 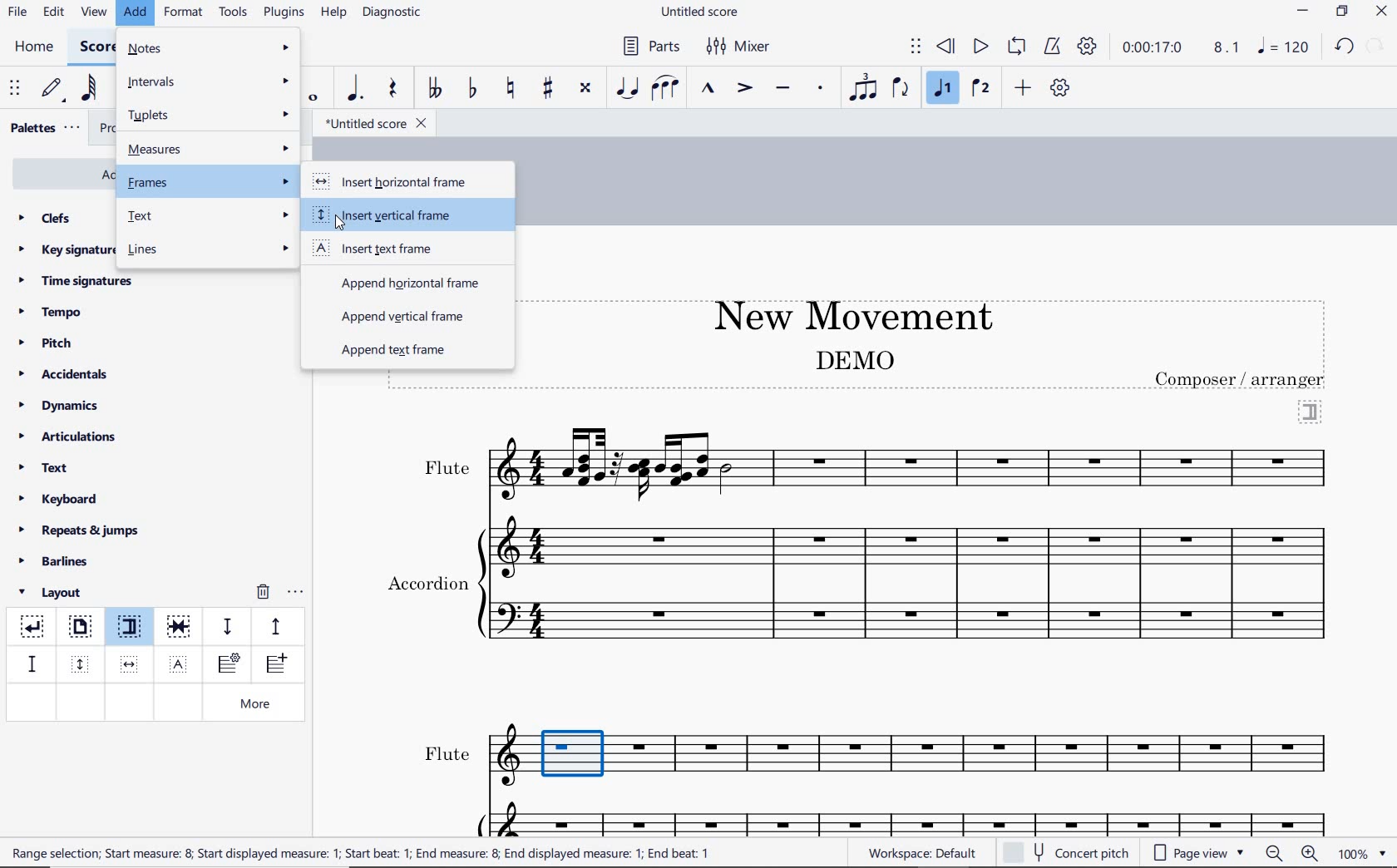 What do you see at coordinates (1068, 851) in the screenshot?
I see `concert pitch` at bounding box center [1068, 851].